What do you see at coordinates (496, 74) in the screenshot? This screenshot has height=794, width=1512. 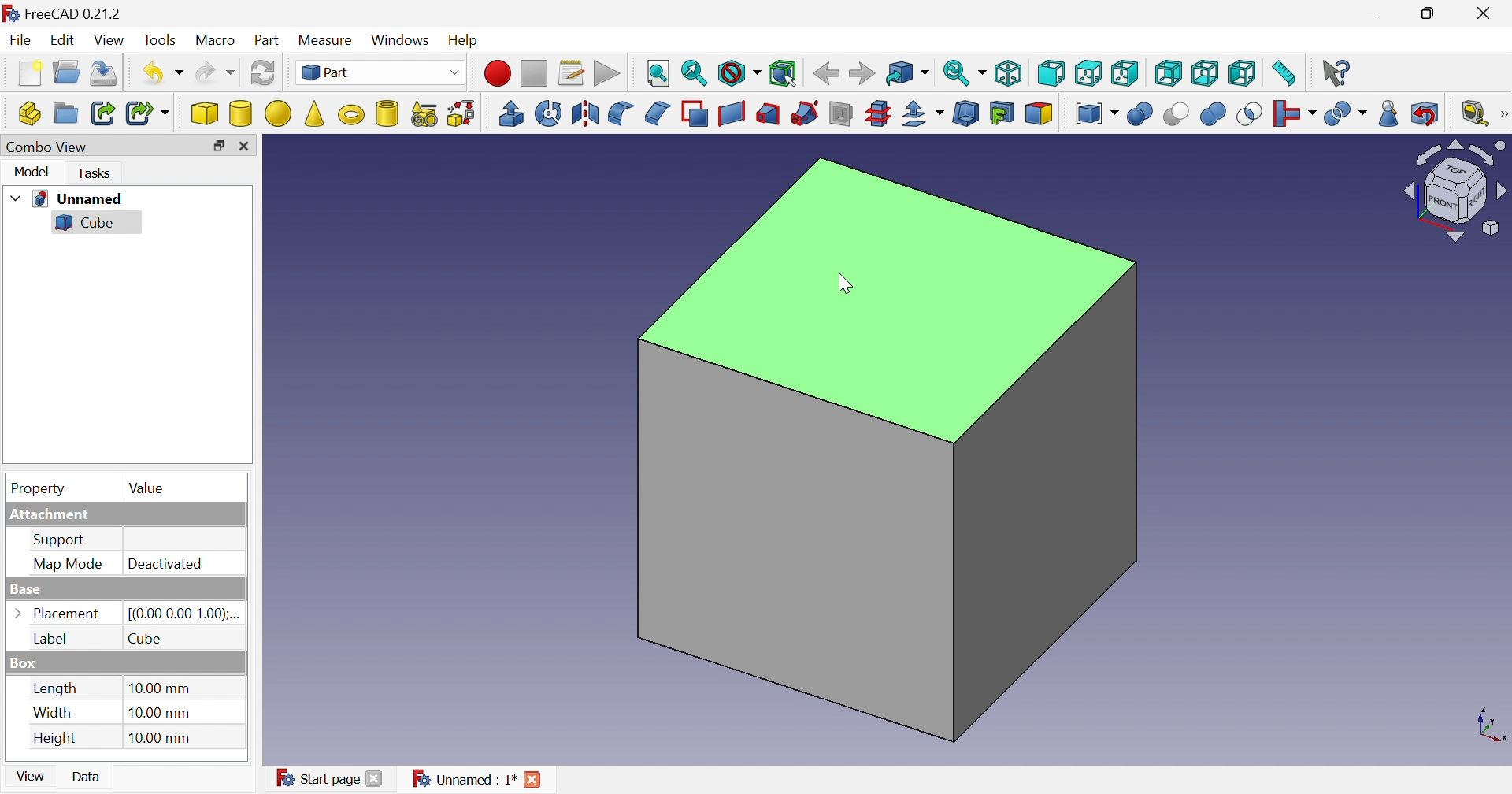 I see `Macro recording` at bounding box center [496, 74].